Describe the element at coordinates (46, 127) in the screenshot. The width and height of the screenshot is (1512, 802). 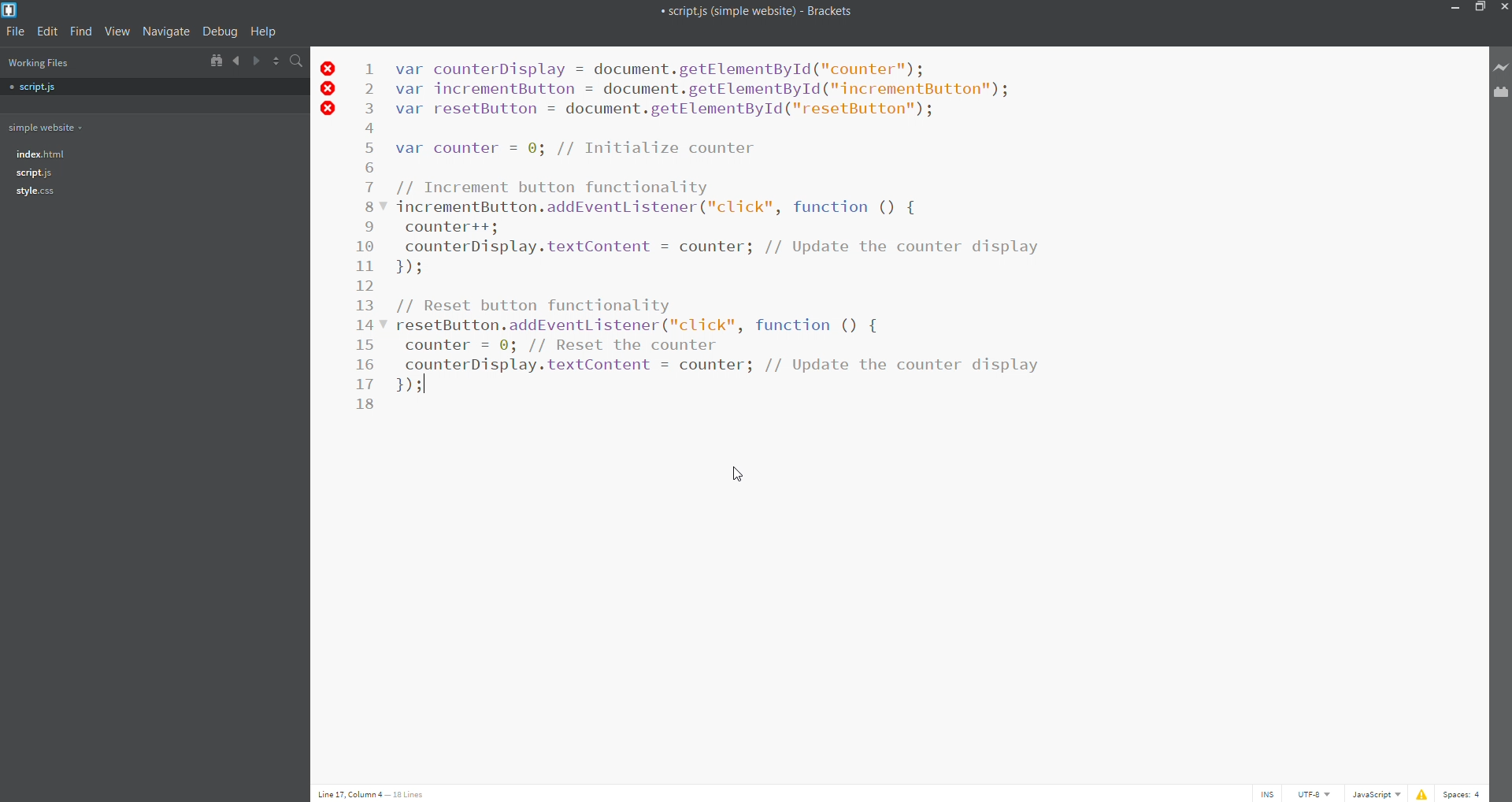
I see `working folder` at that location.